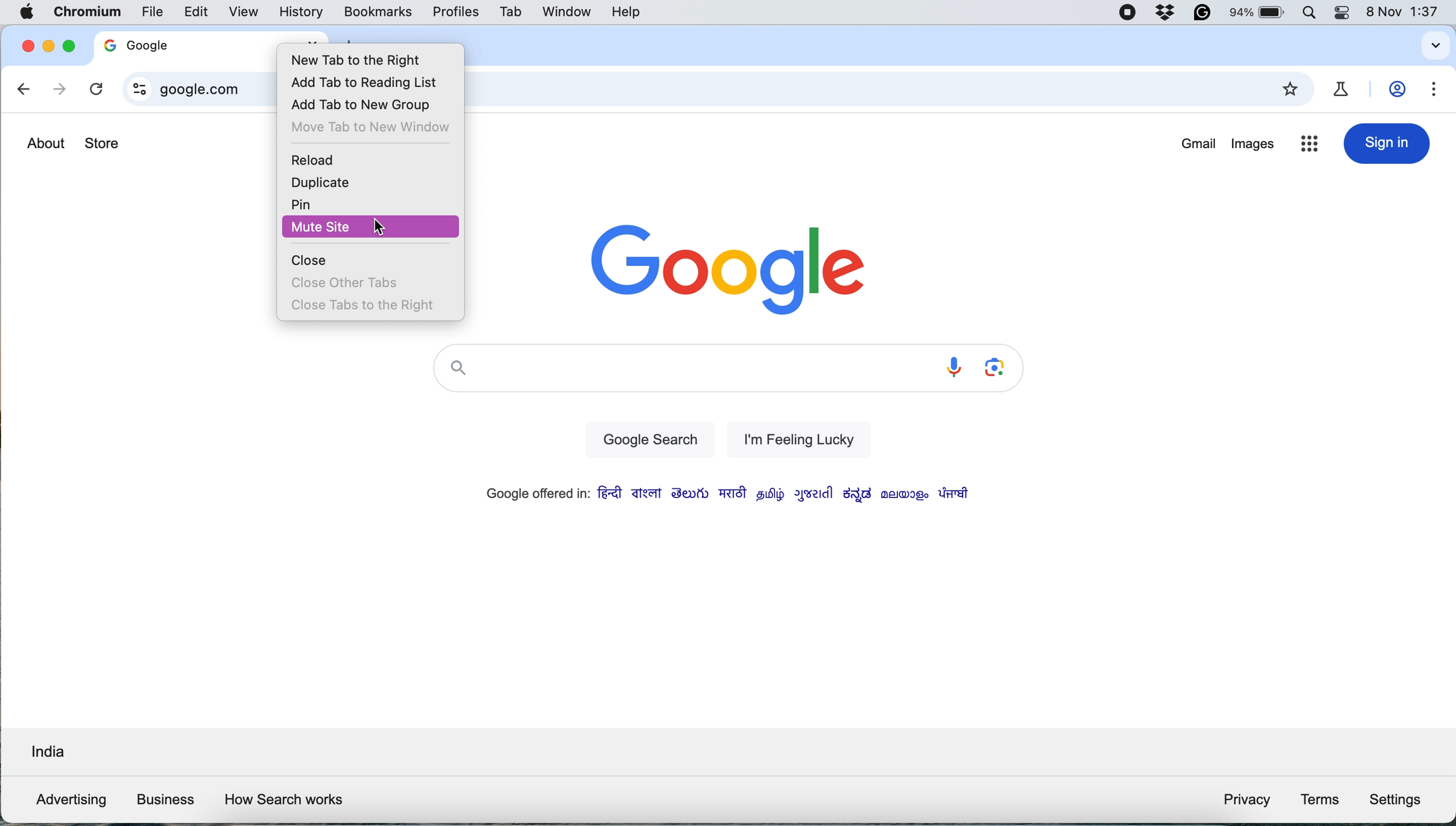 Image resolution: width=1456 pixels, height=826 pixels. What do you see at coordinates (1387, 144) in the screenshot?
I see `sign in` at bounding box center [1387, 144].